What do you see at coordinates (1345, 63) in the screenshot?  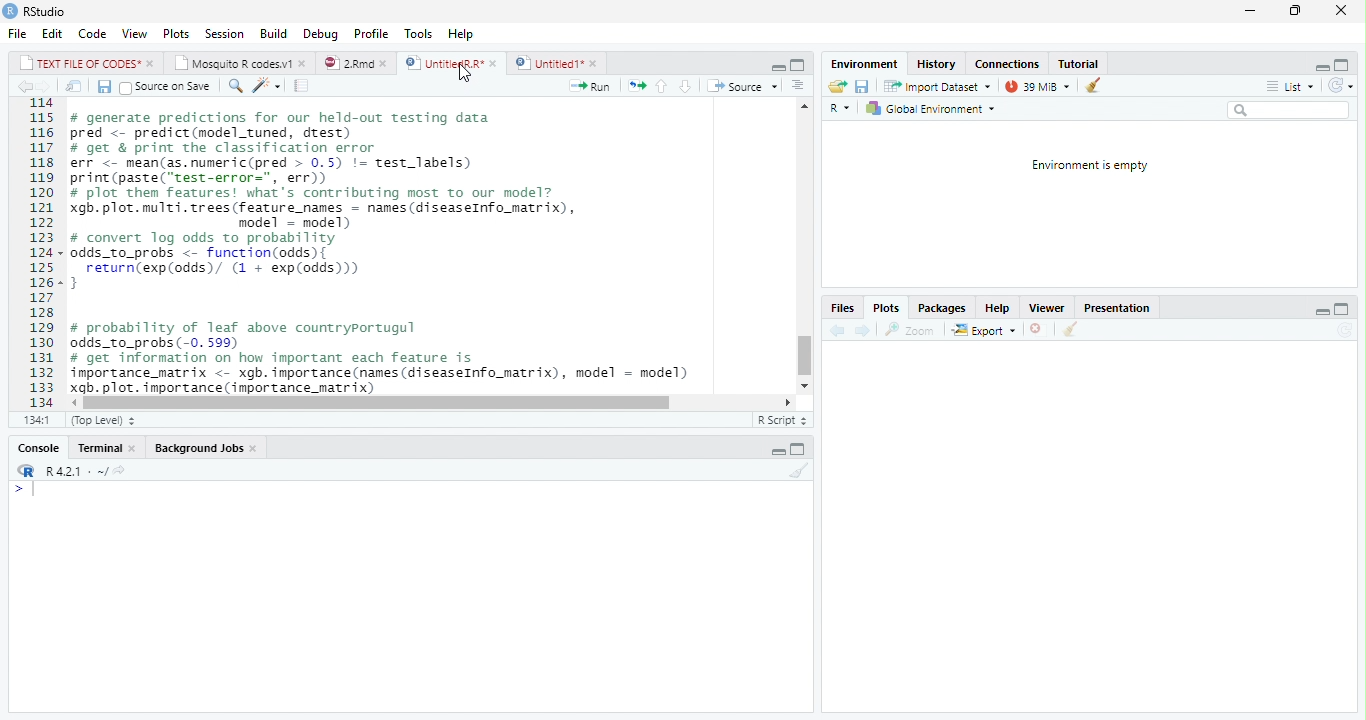 I see `Maximize` at bounding box center [1345, 63].